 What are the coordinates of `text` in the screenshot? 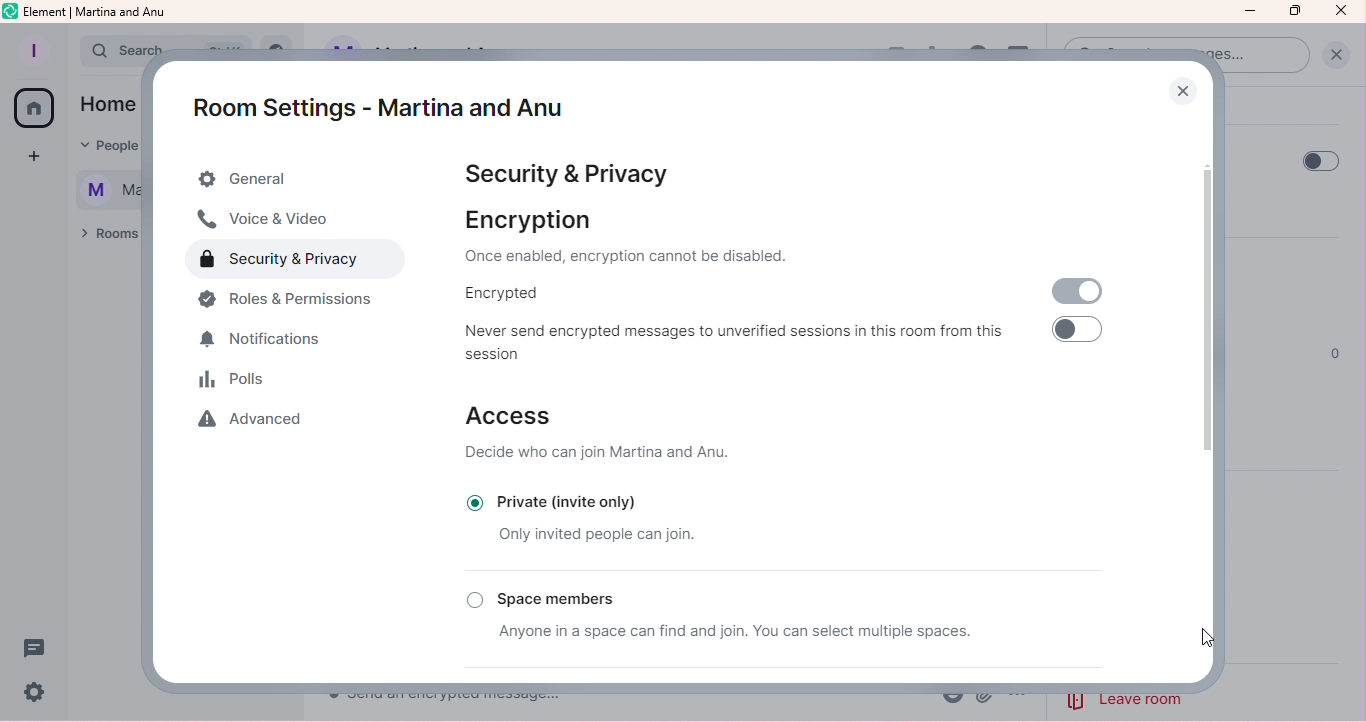 It's located at (107, 169).